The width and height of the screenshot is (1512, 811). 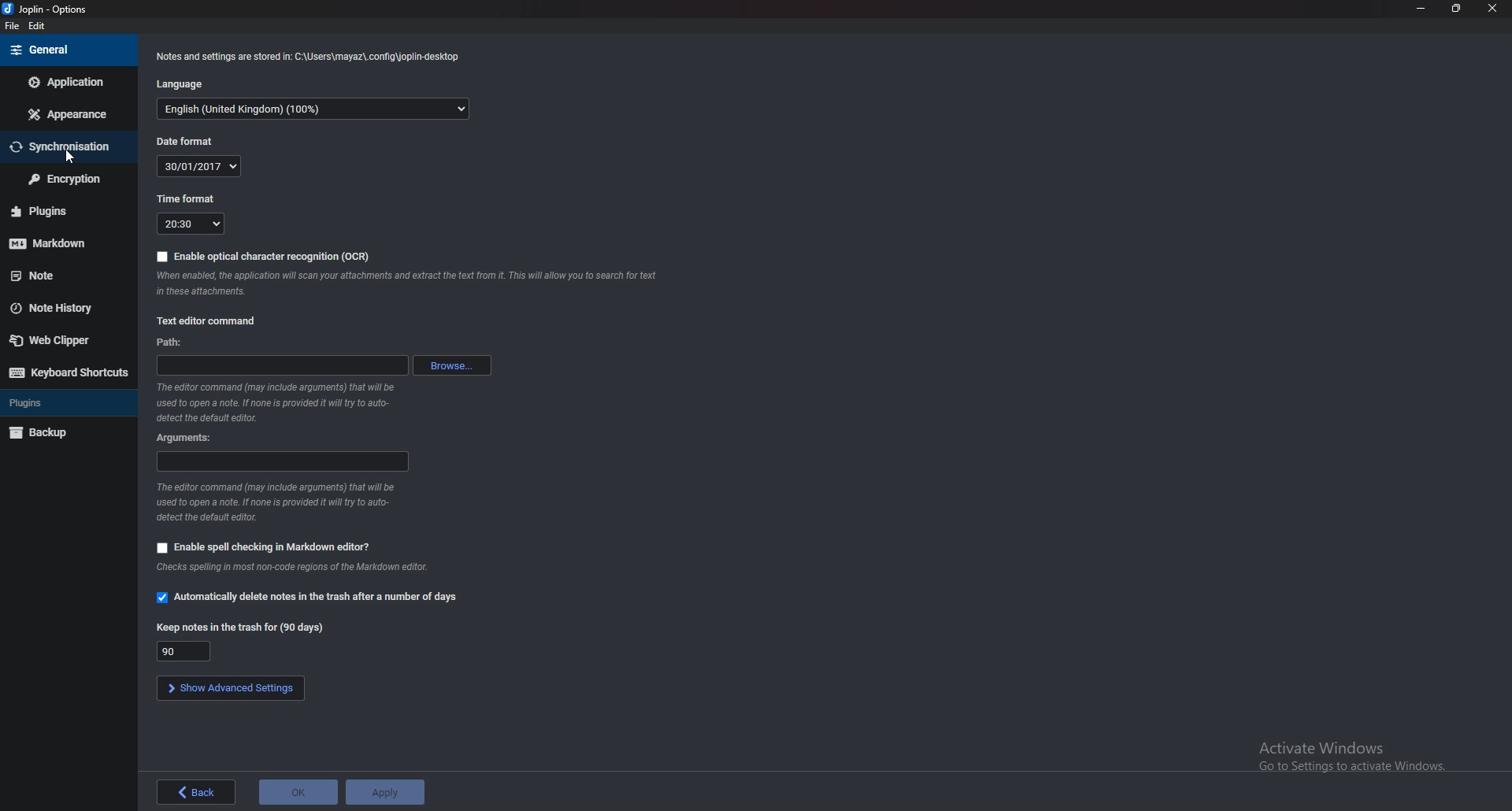 I want to click on note, so click(x=65, y=273).